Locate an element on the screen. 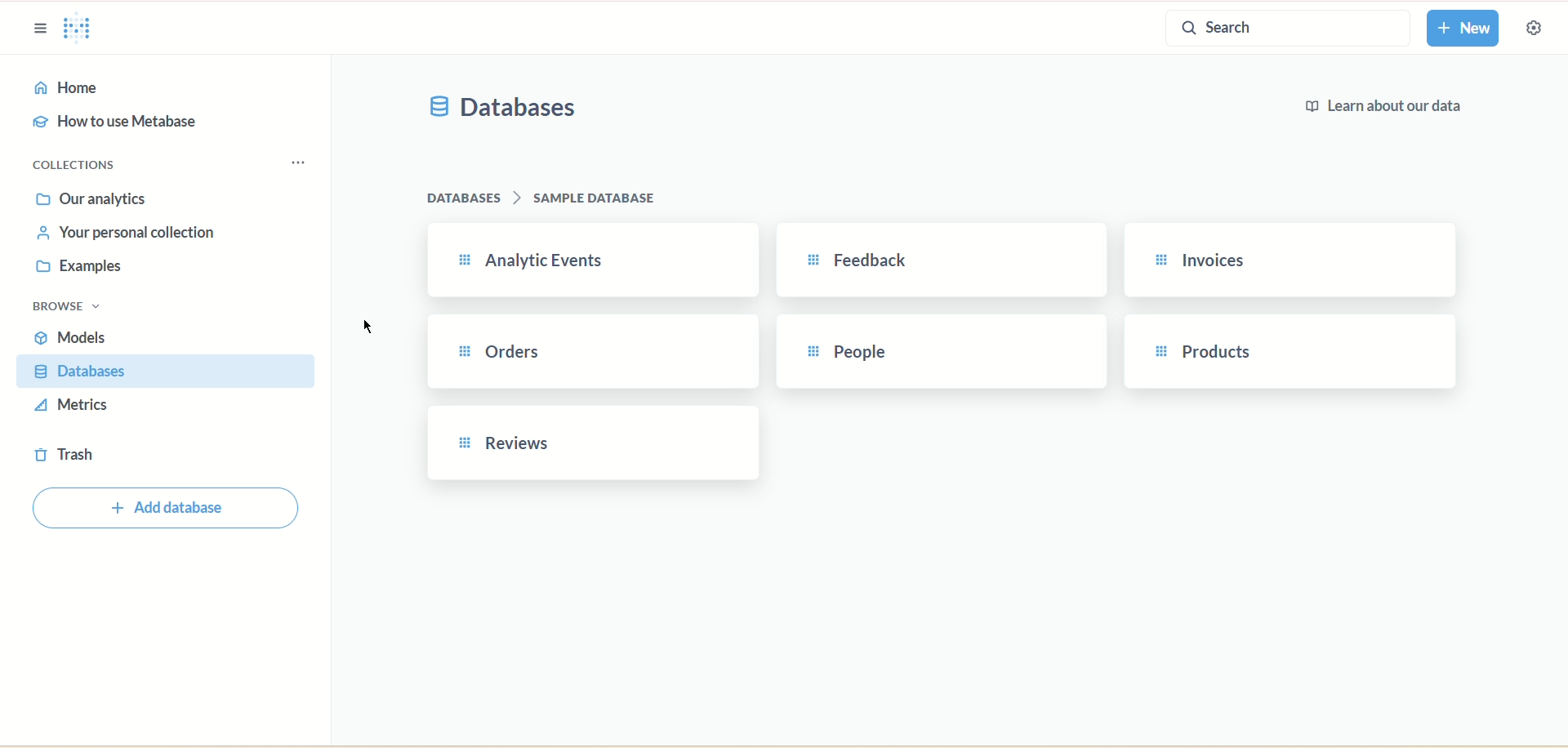 The image size is (1568, 748). orders is located at coordinates (594, 353).